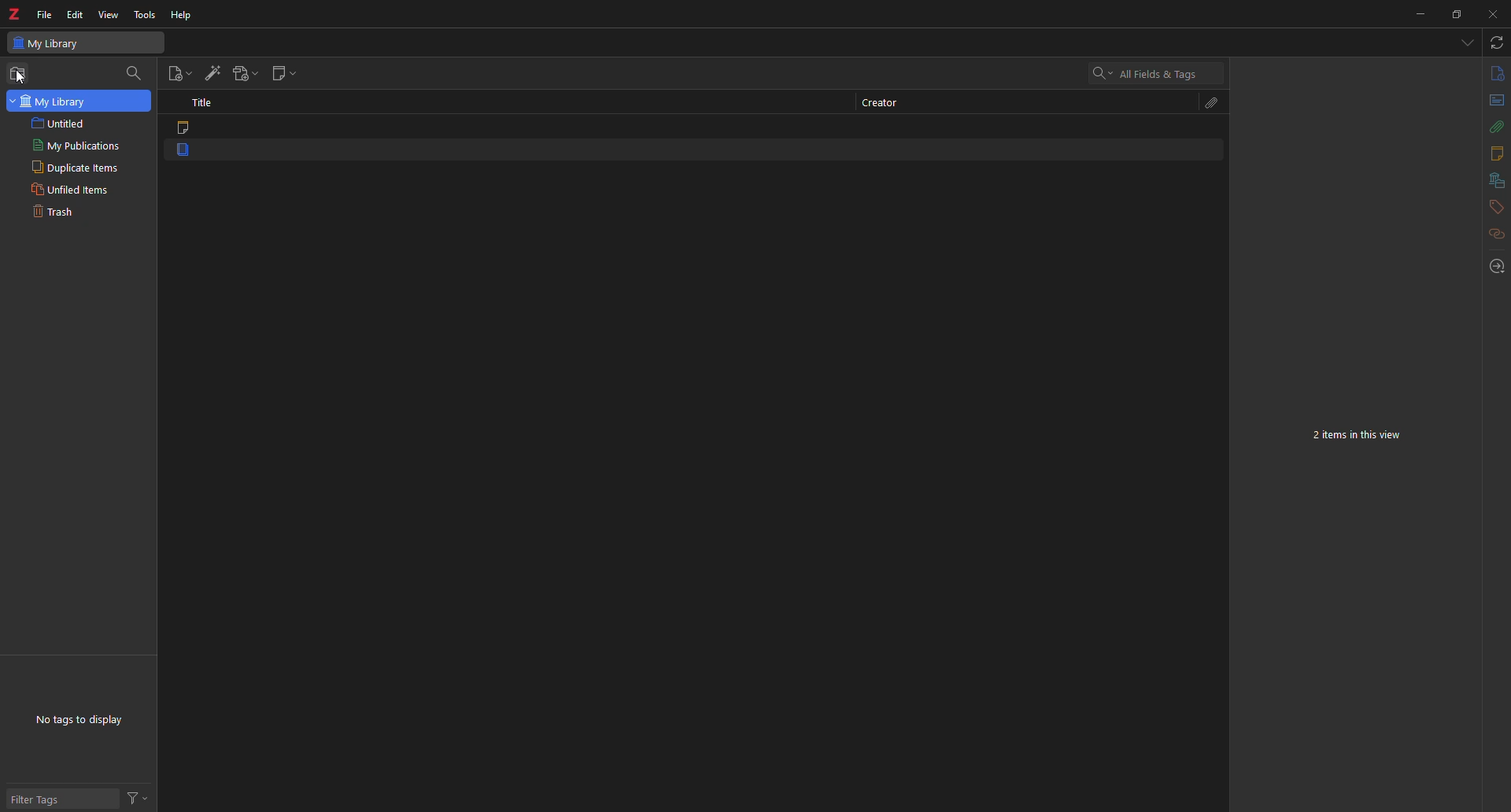  I want to click on attach, so click(1491, 127).